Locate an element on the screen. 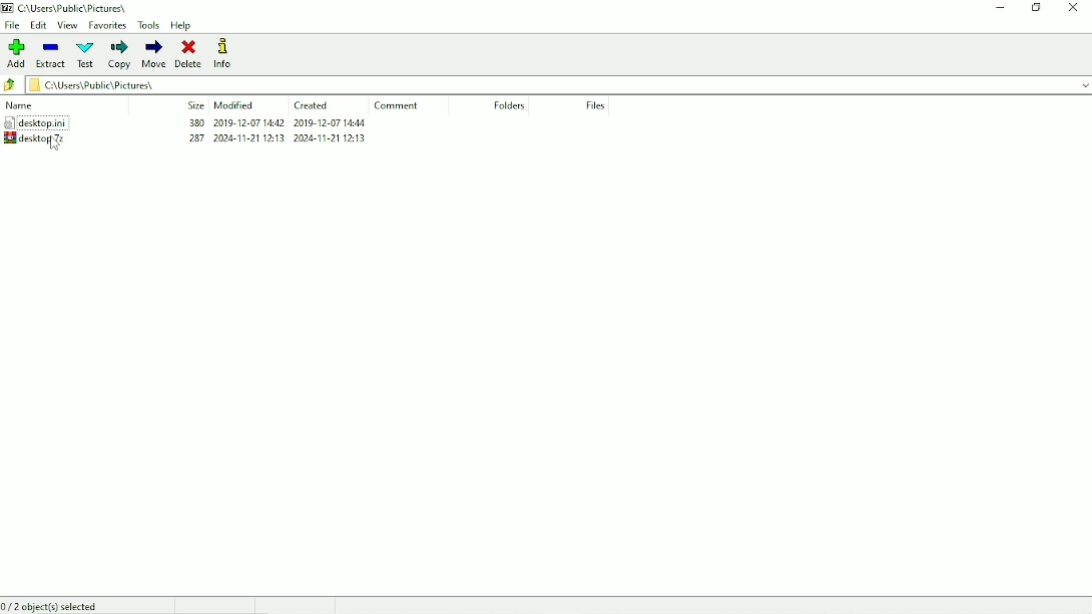  dropdown is located at coordinates (1082, 84).